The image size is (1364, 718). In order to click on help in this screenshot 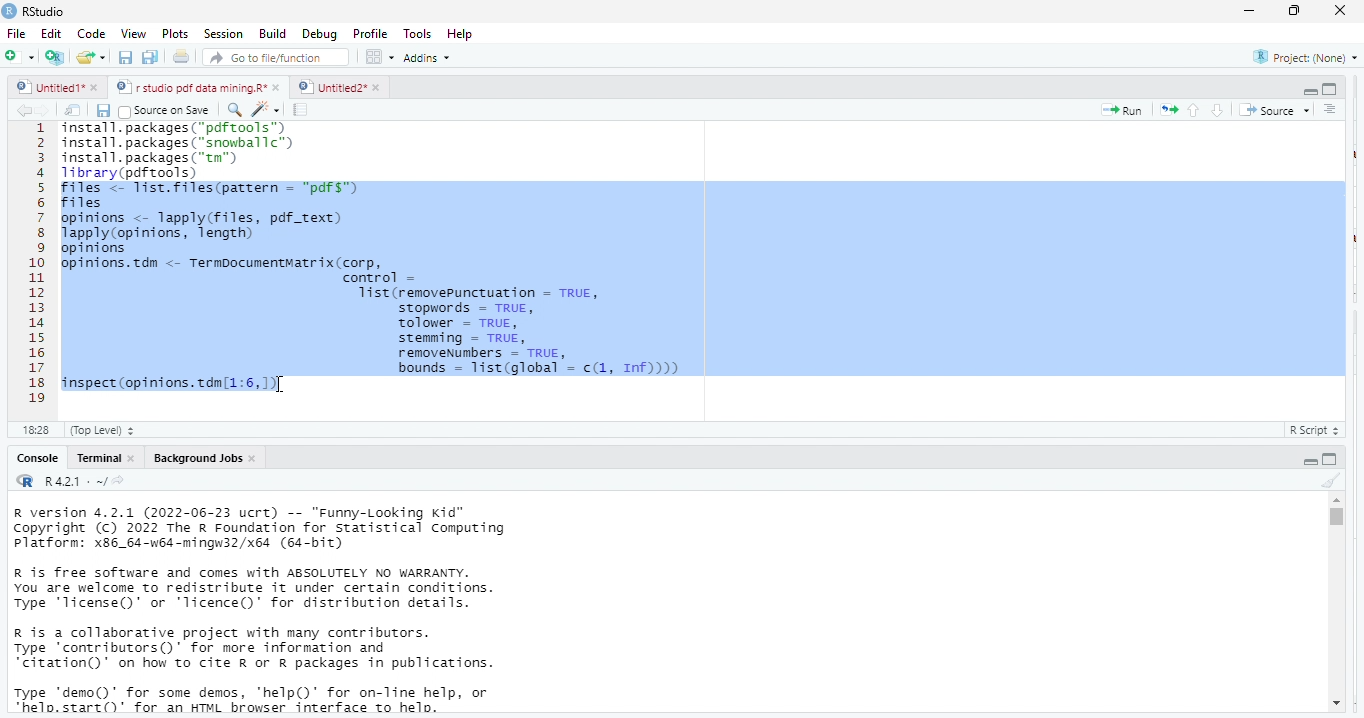, I will do `click(467, 33)`.